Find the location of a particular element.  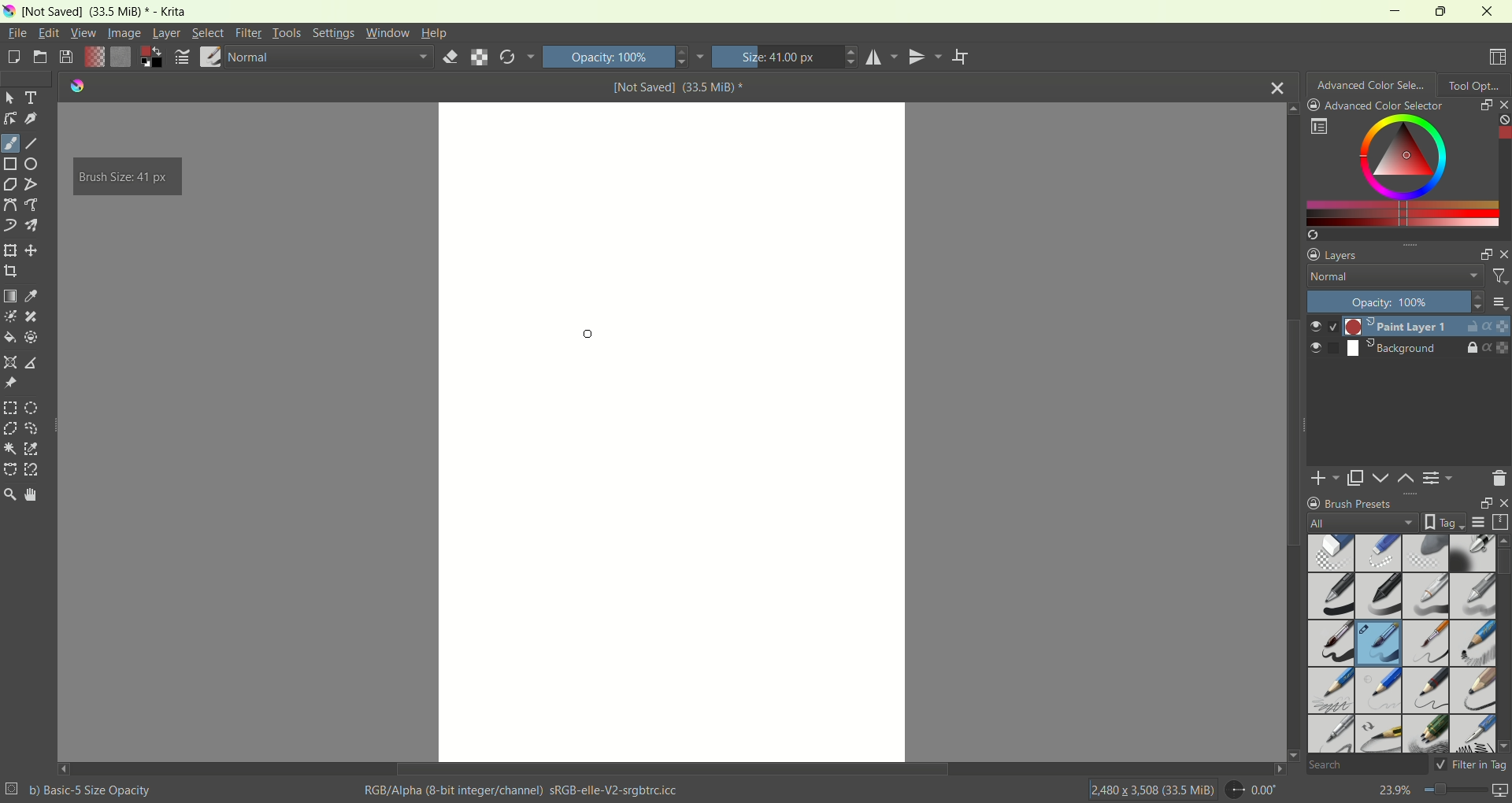

bezier curve selection is located at coordinates (10, 468).